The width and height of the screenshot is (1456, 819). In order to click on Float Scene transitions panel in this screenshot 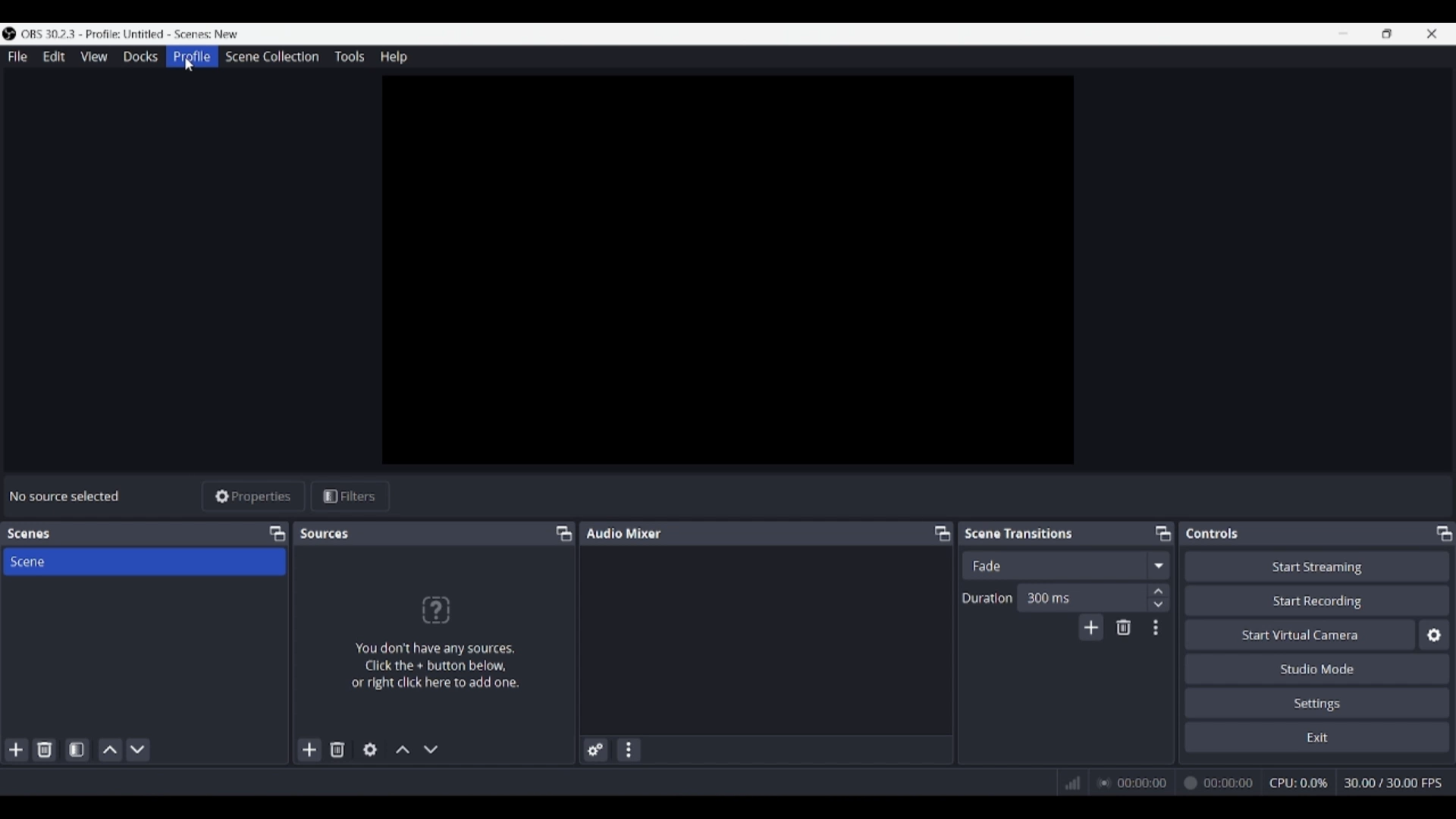, I will do `click(1163, 533)`.